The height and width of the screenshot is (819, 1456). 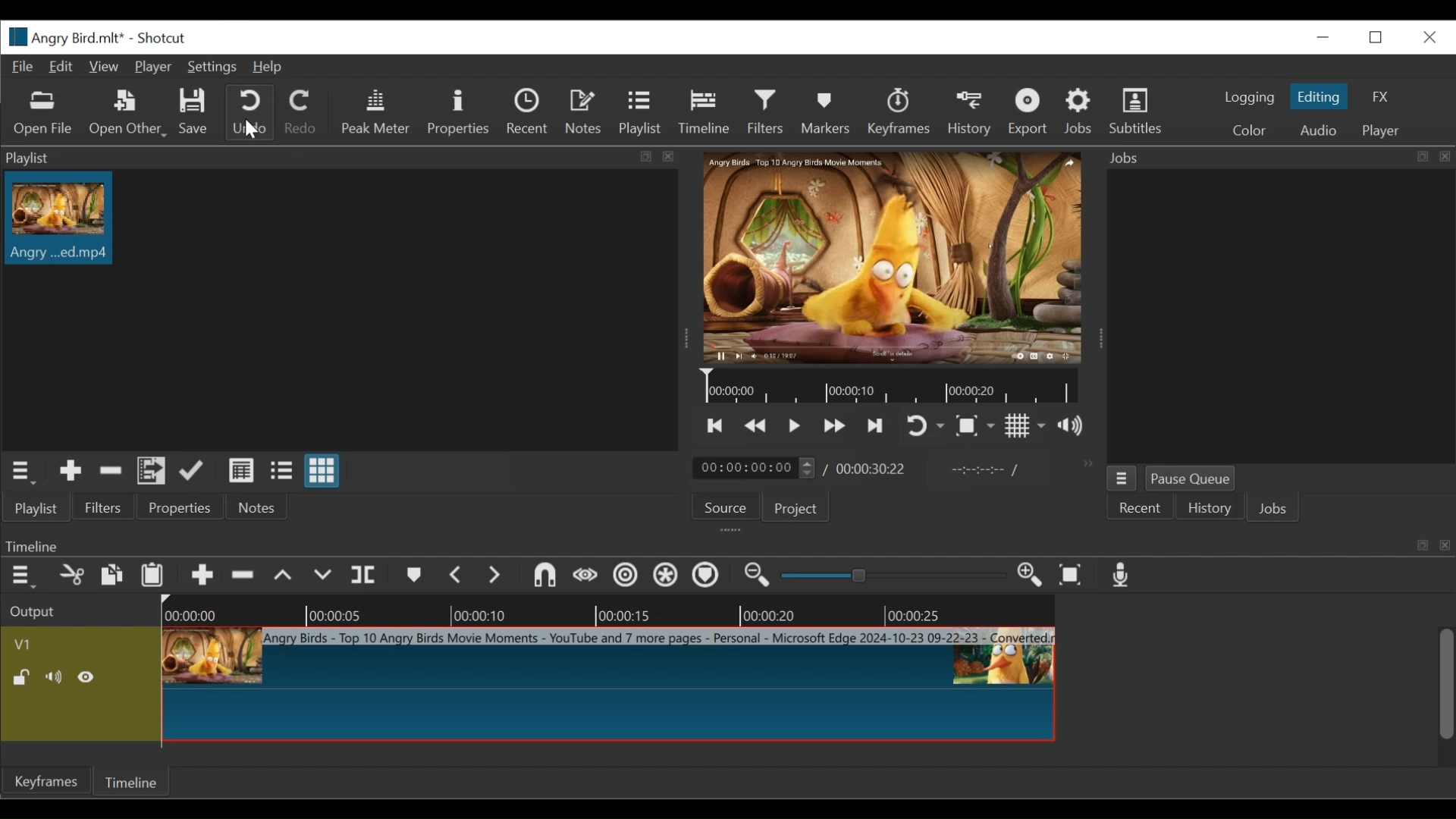 I want to click on (un)lock track, so click(x=24, y=678).